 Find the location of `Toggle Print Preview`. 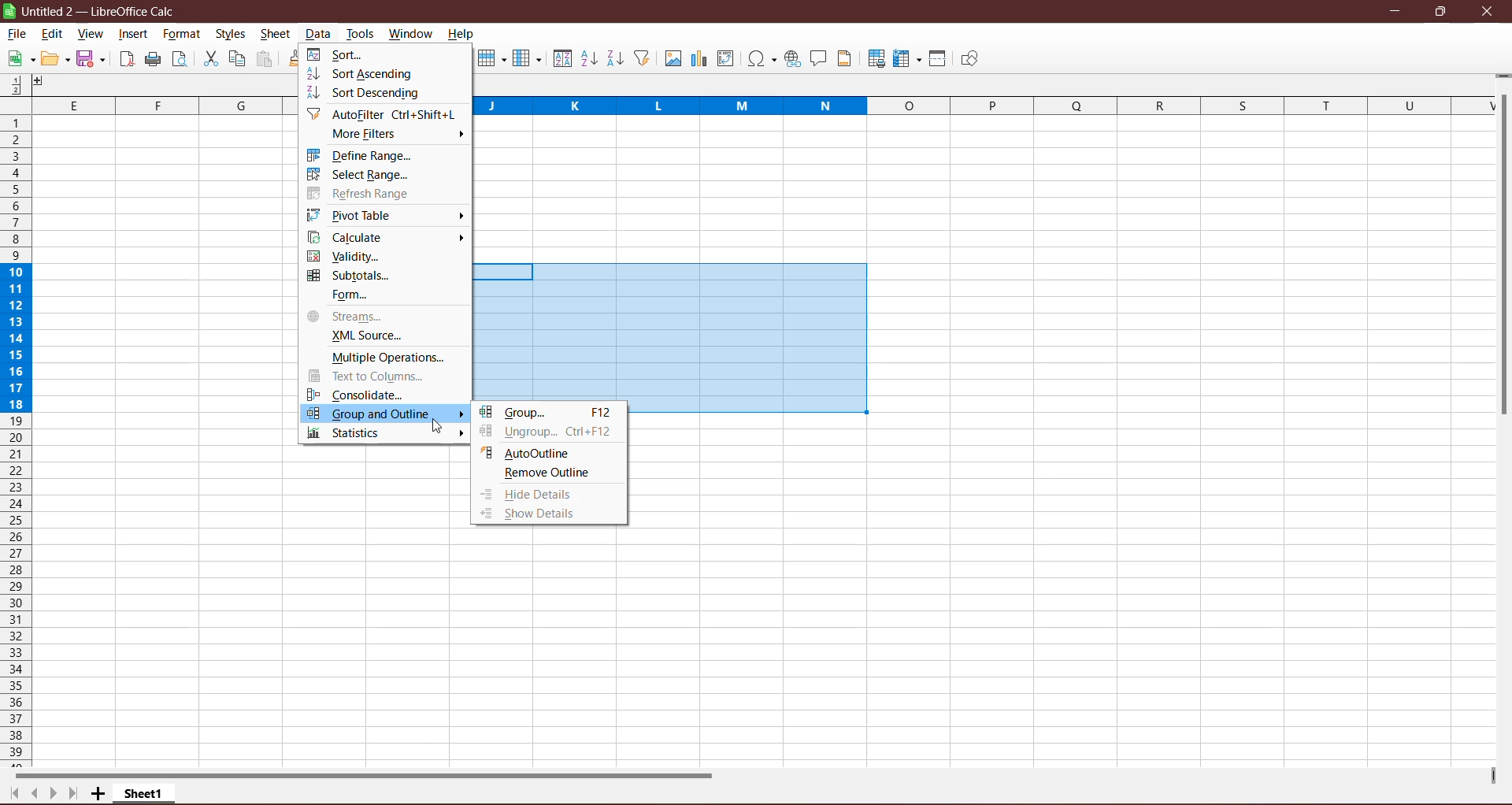

Toggle Print Preview is located at coordinates (182, 59).